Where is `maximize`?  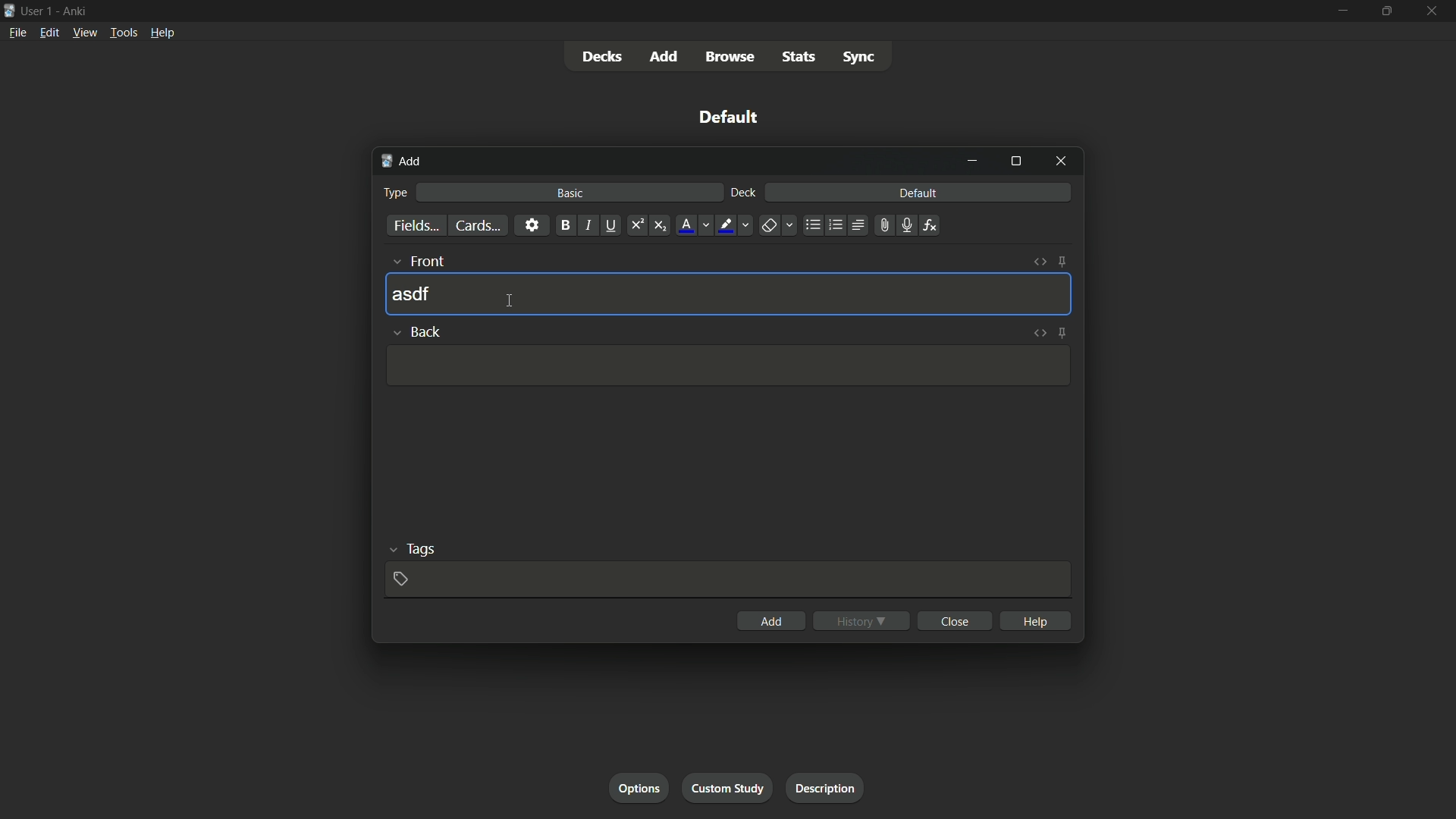 maximize is located at coordinates (1015, 162).